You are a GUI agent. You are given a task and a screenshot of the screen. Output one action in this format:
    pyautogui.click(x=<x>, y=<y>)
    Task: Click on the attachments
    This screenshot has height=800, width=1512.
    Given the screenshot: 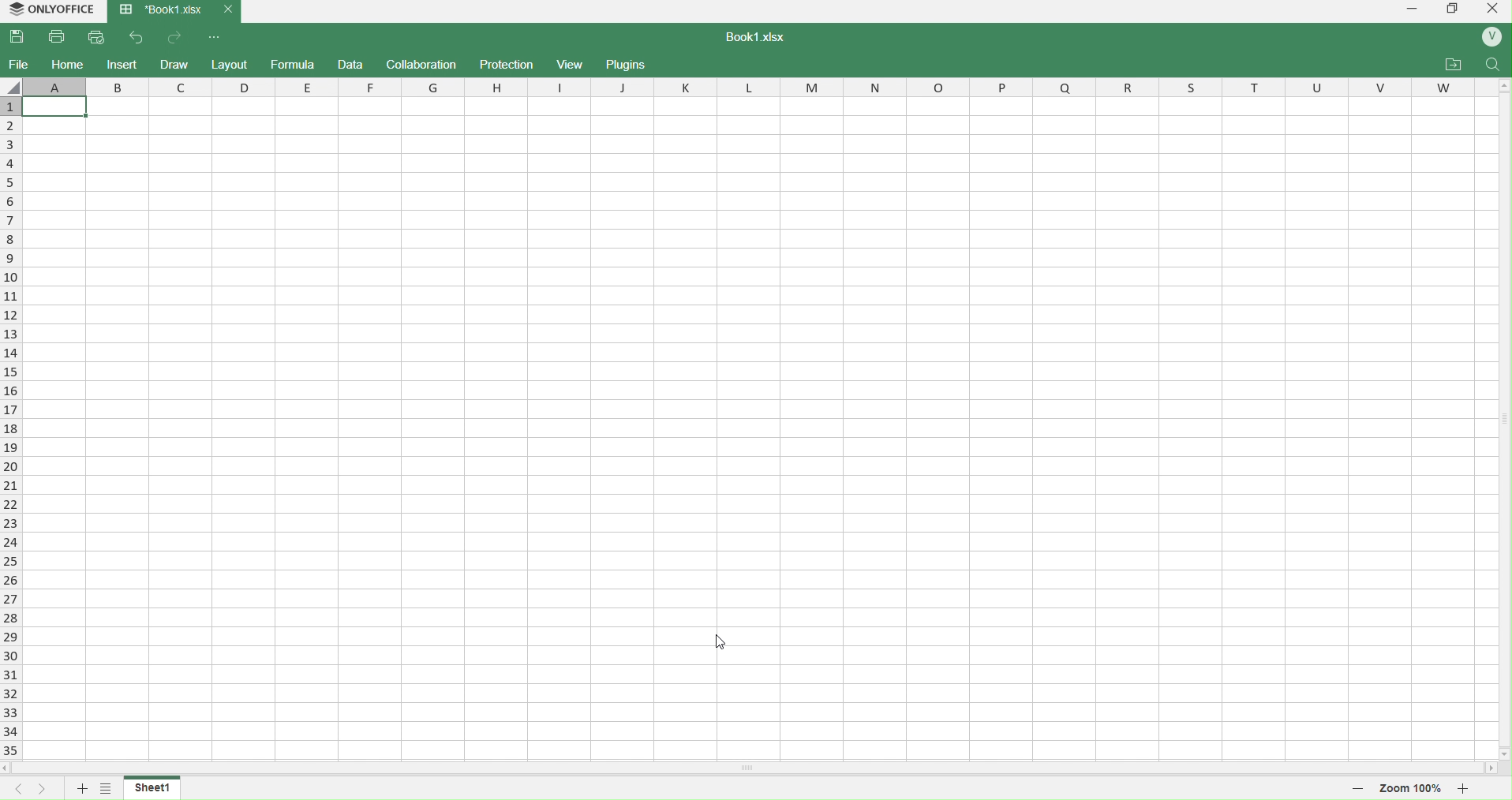 What is the action you would take?
    pyautogui.click(x=1453, y=65)
    